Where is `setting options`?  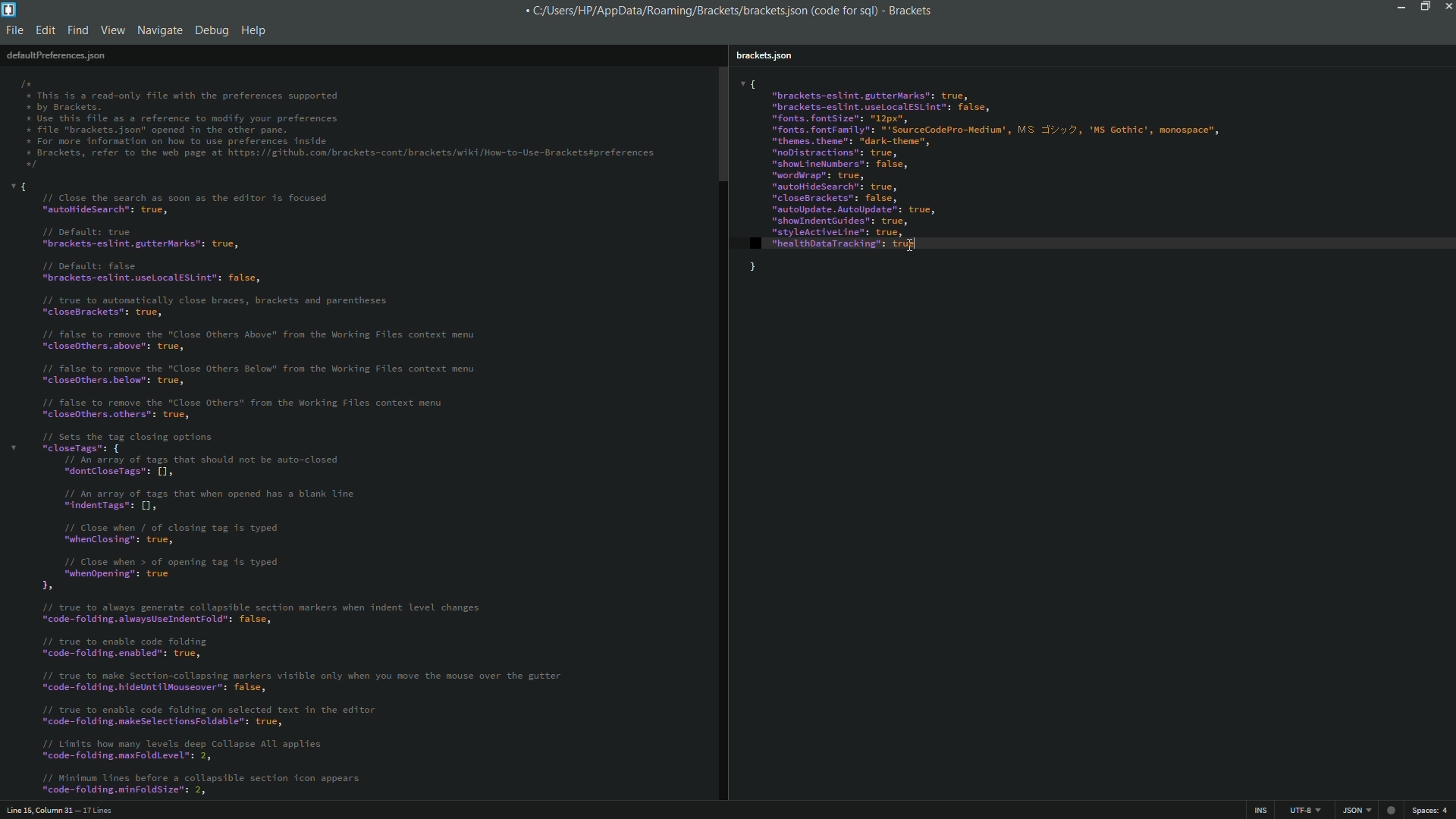
setting options is located at coordinates (1037, 178).